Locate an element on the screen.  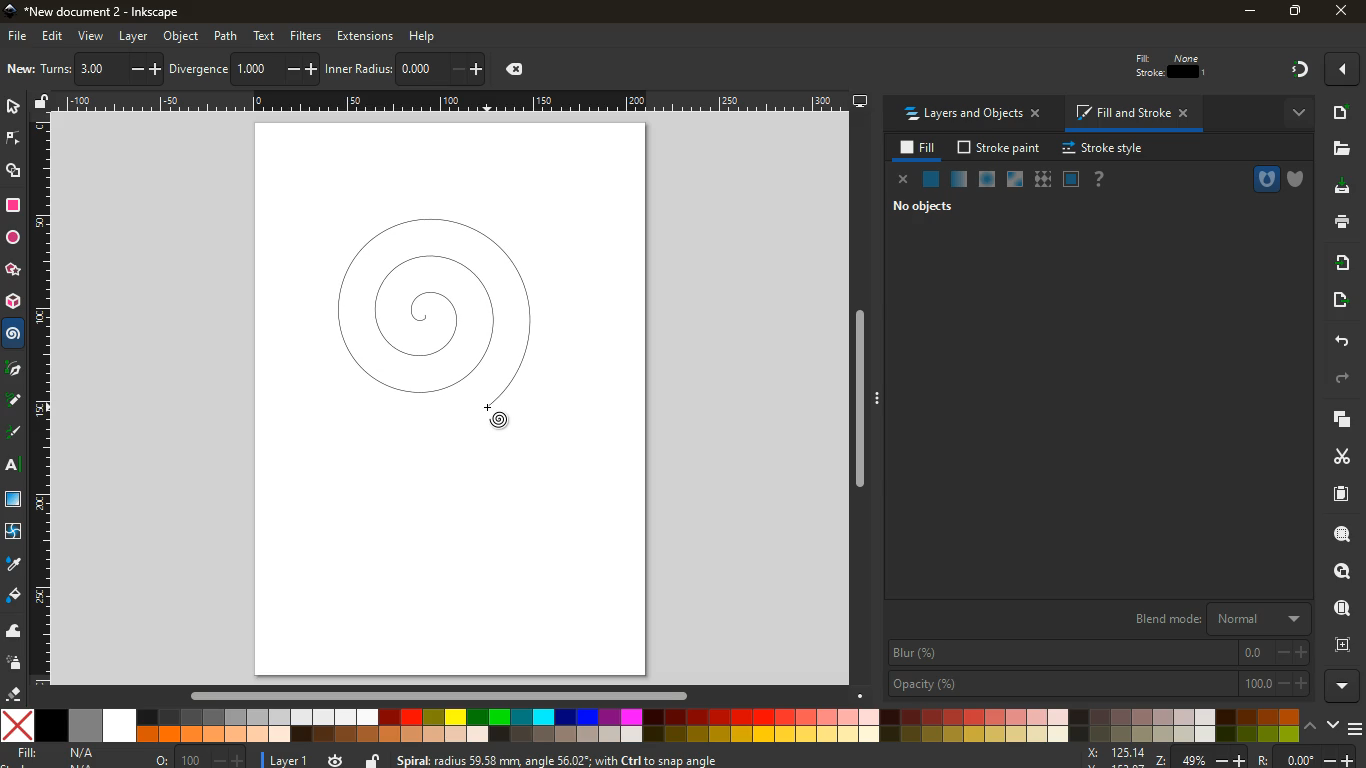
spiral is located at coordinates (13, 334).